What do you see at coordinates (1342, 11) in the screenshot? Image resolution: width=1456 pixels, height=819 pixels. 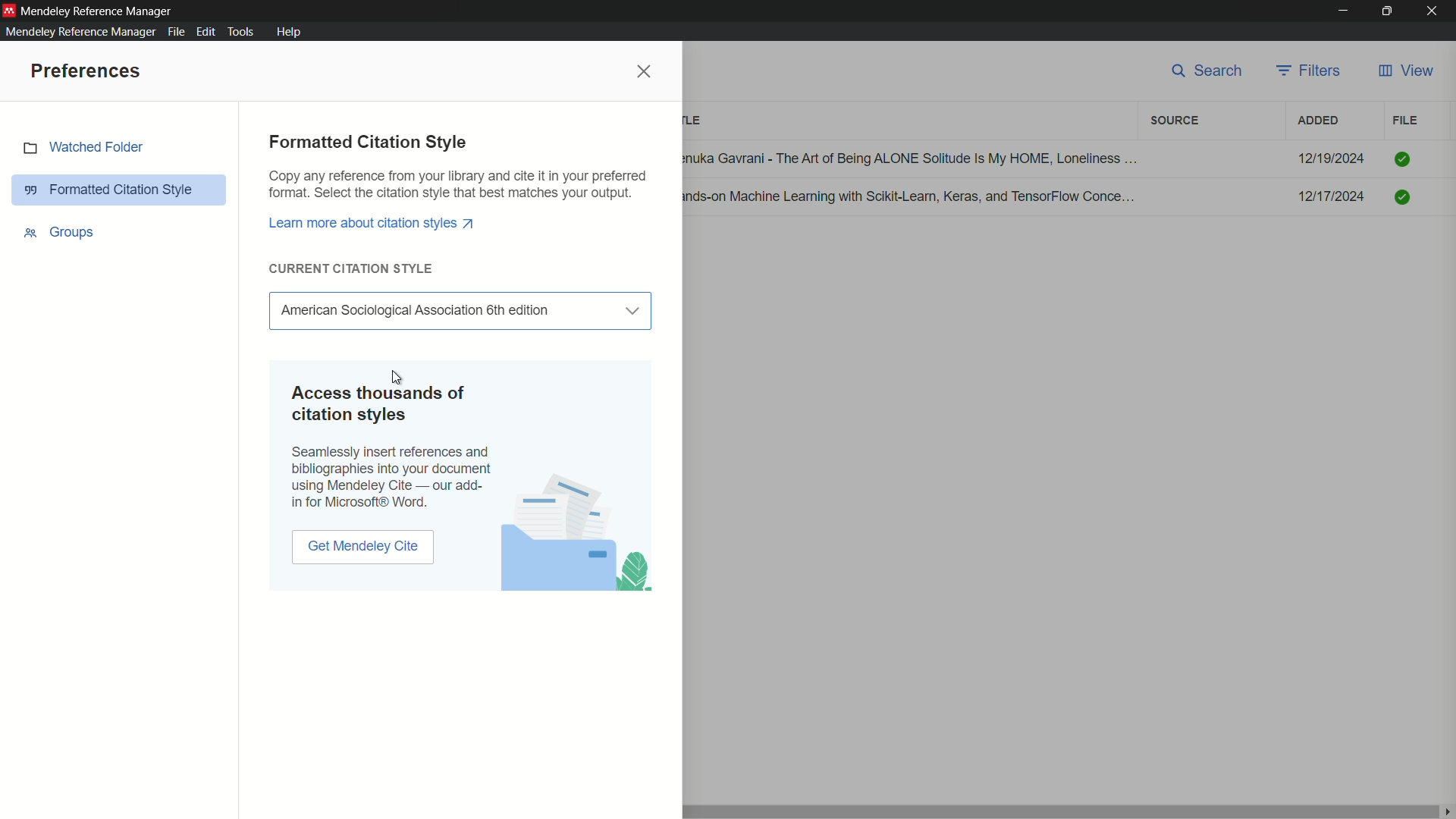 I see `minimize` at bounding box center [1342, 11].